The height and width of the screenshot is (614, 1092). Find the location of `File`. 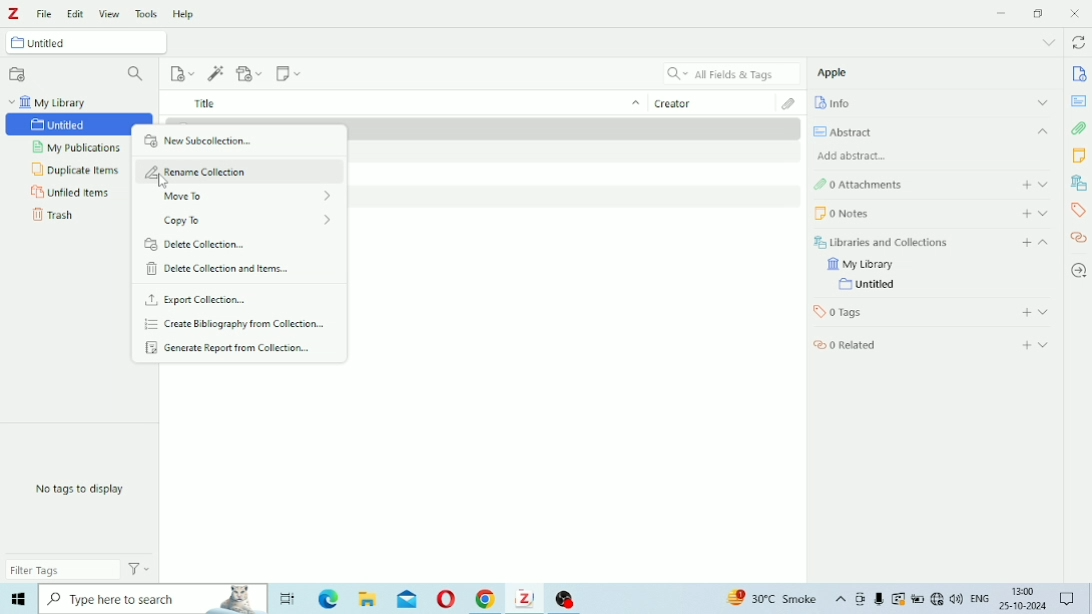

File is located at coordinates (44, 14).